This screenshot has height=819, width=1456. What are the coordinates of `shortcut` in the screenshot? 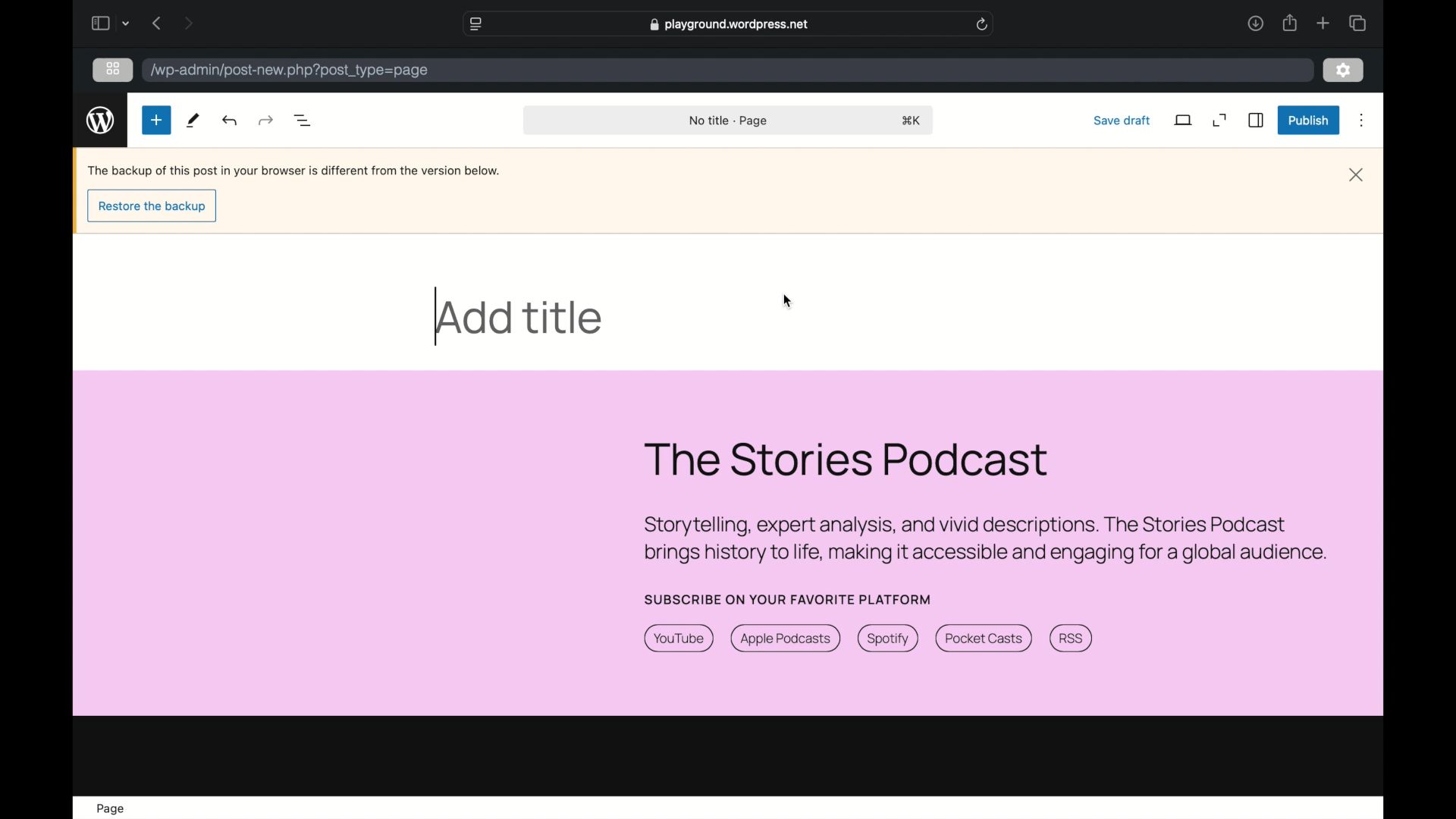 It's located at (913, 121).